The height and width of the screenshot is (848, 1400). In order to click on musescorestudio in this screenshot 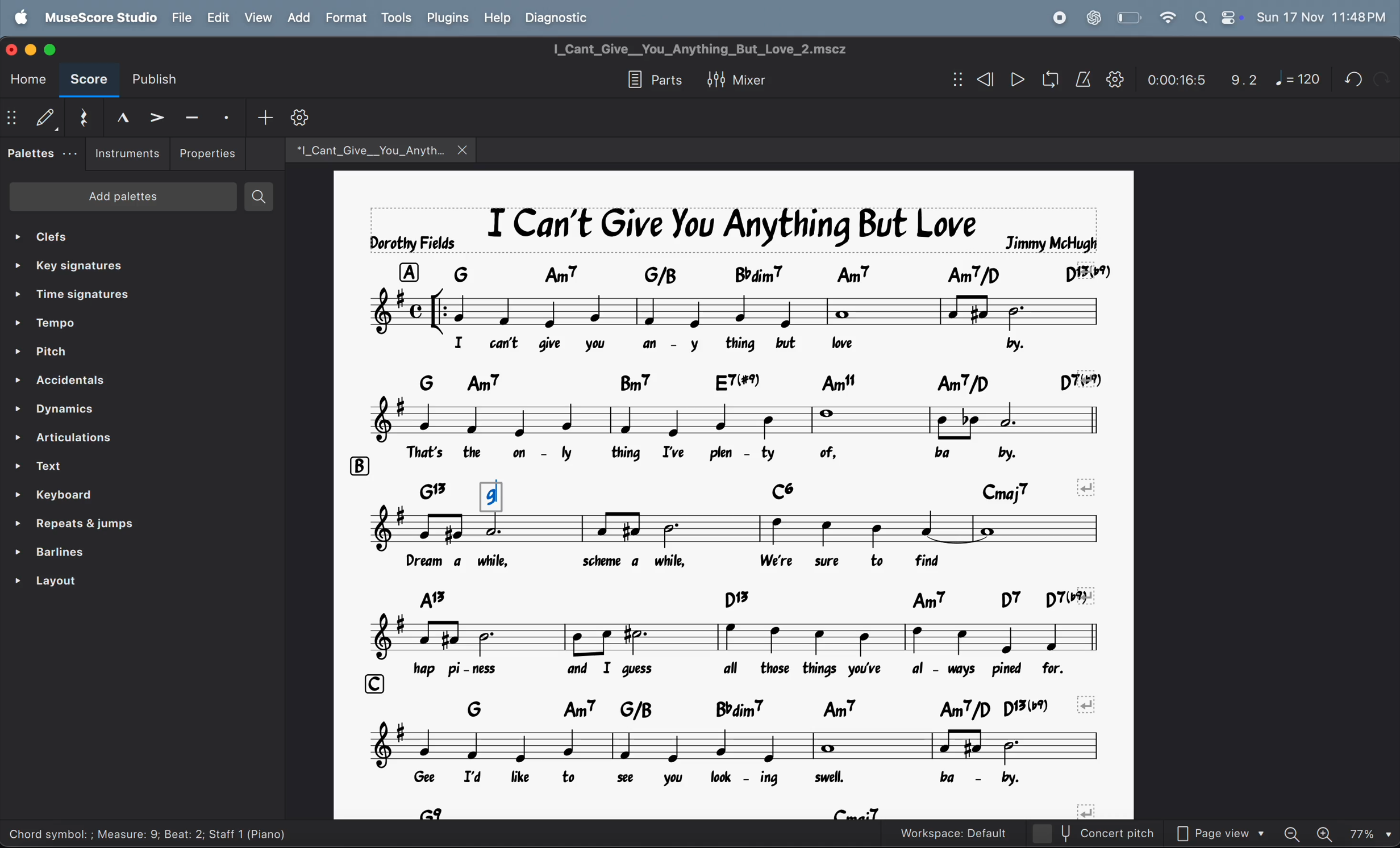, I will do `click(100, 18)`.